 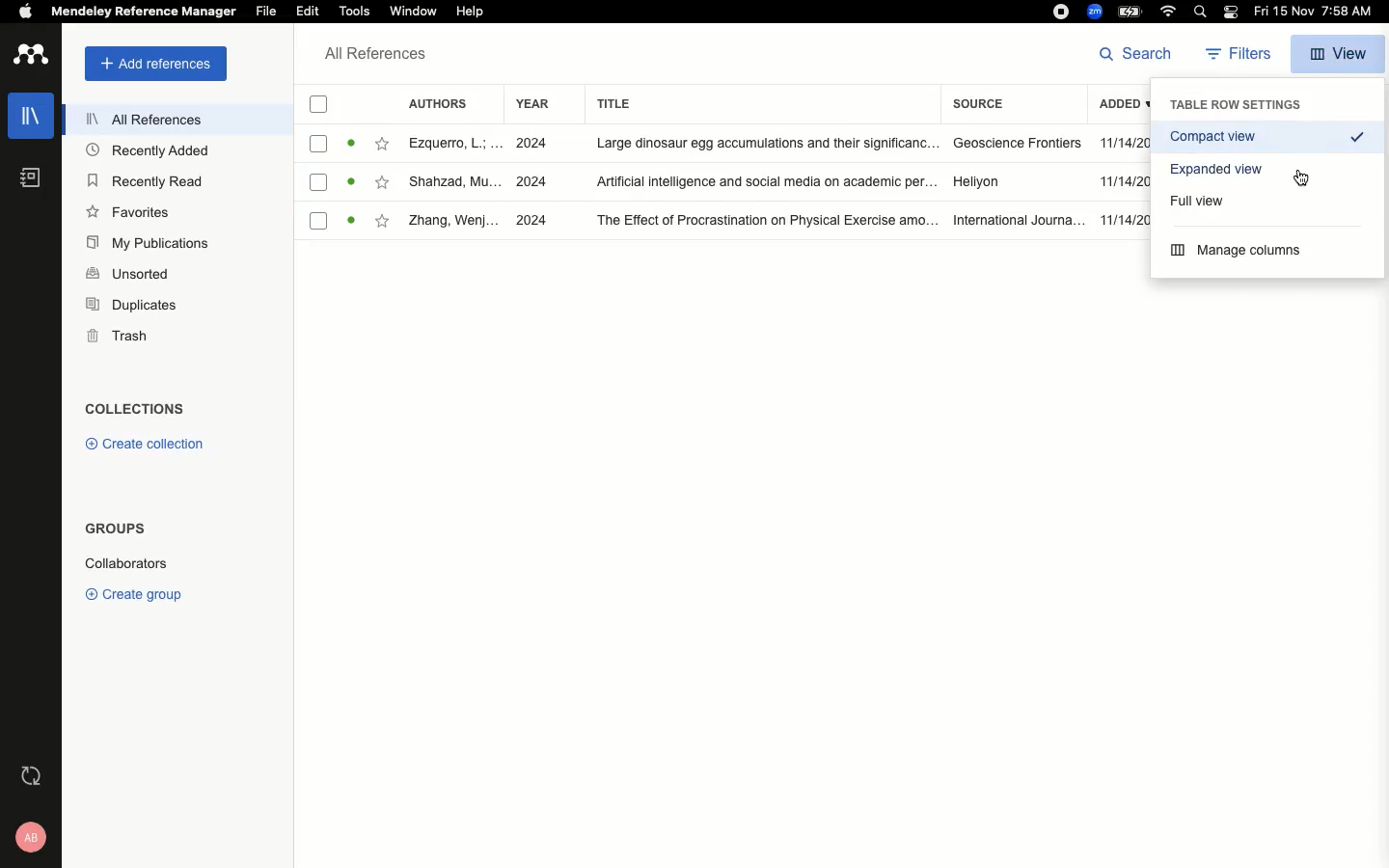 I want to click on Notebook, so click(x=28, y=181).